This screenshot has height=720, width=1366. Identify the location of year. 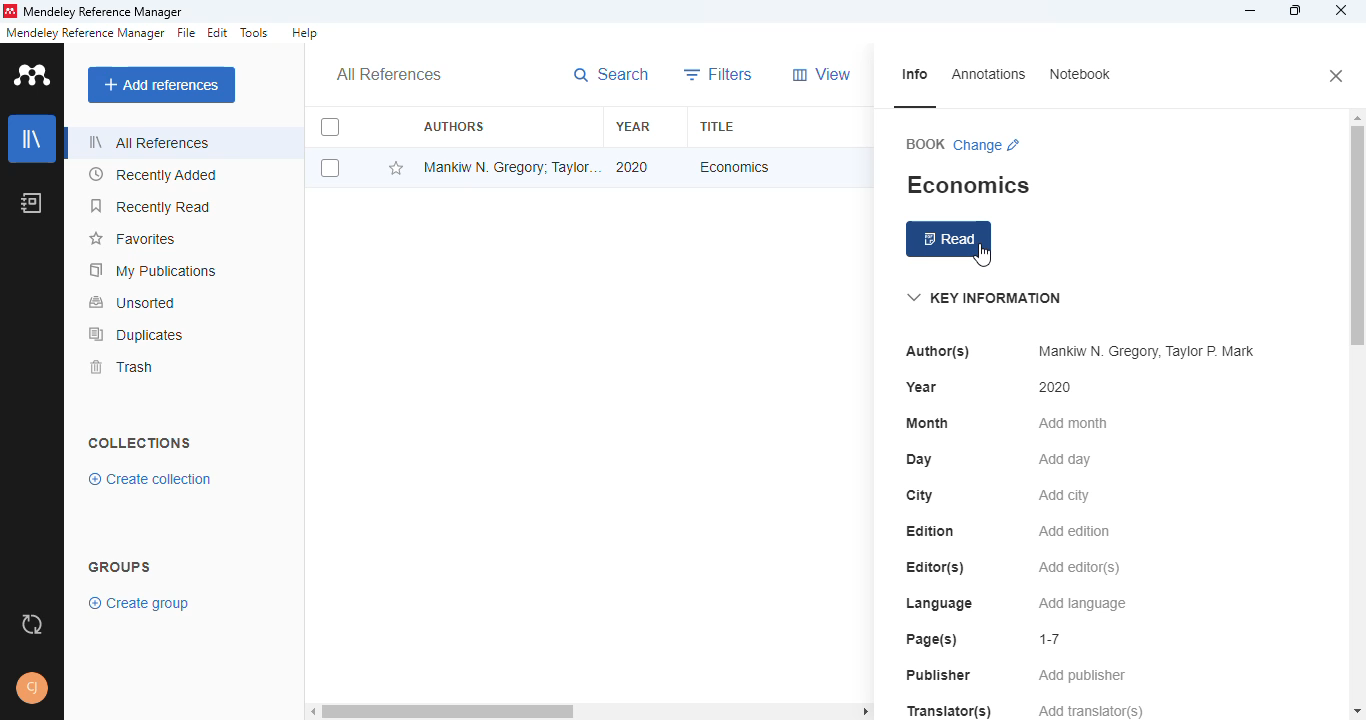
(921, 387).